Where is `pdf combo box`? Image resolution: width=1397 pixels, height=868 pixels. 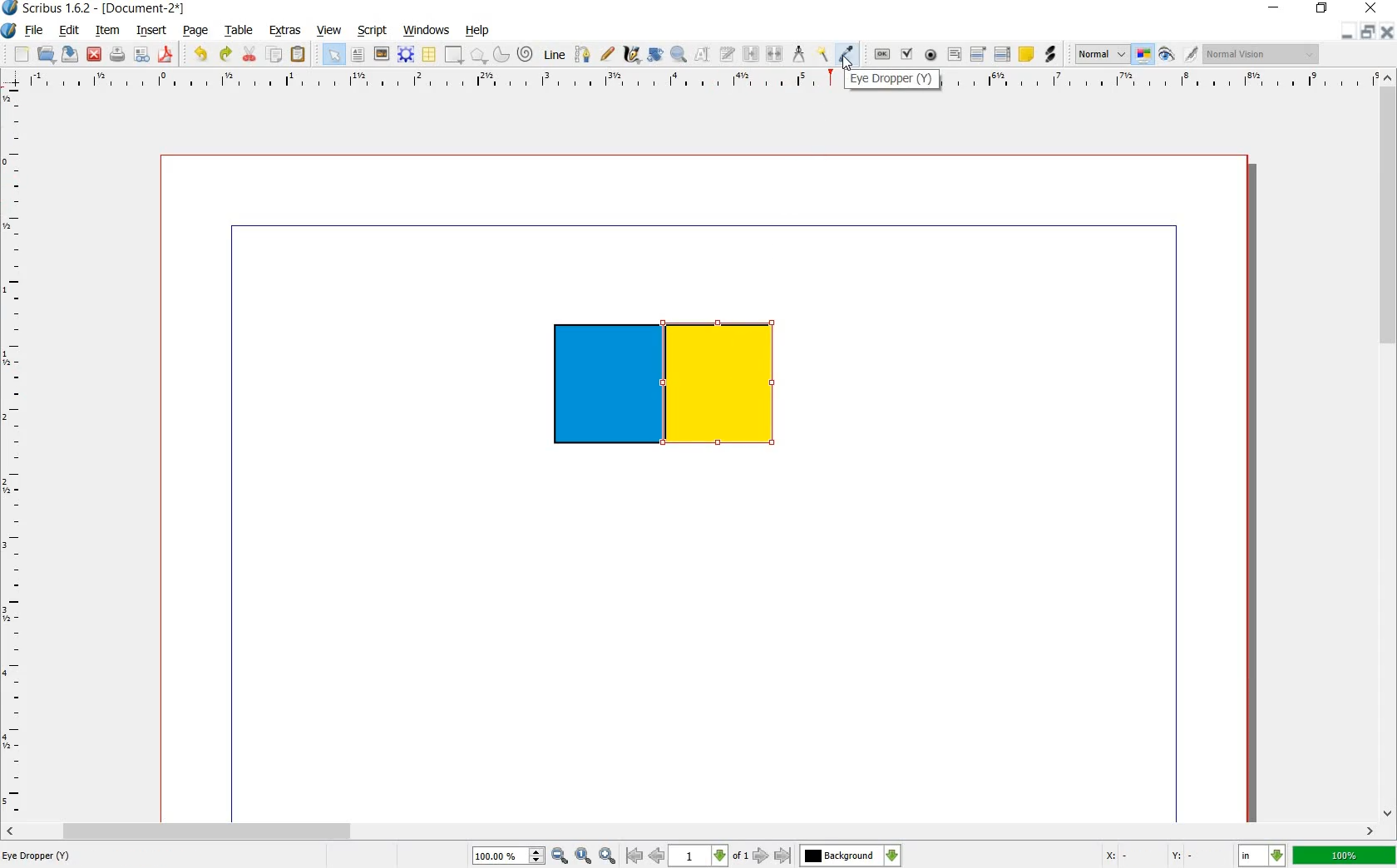
pdf combo box is located at coordinates (976, 55).